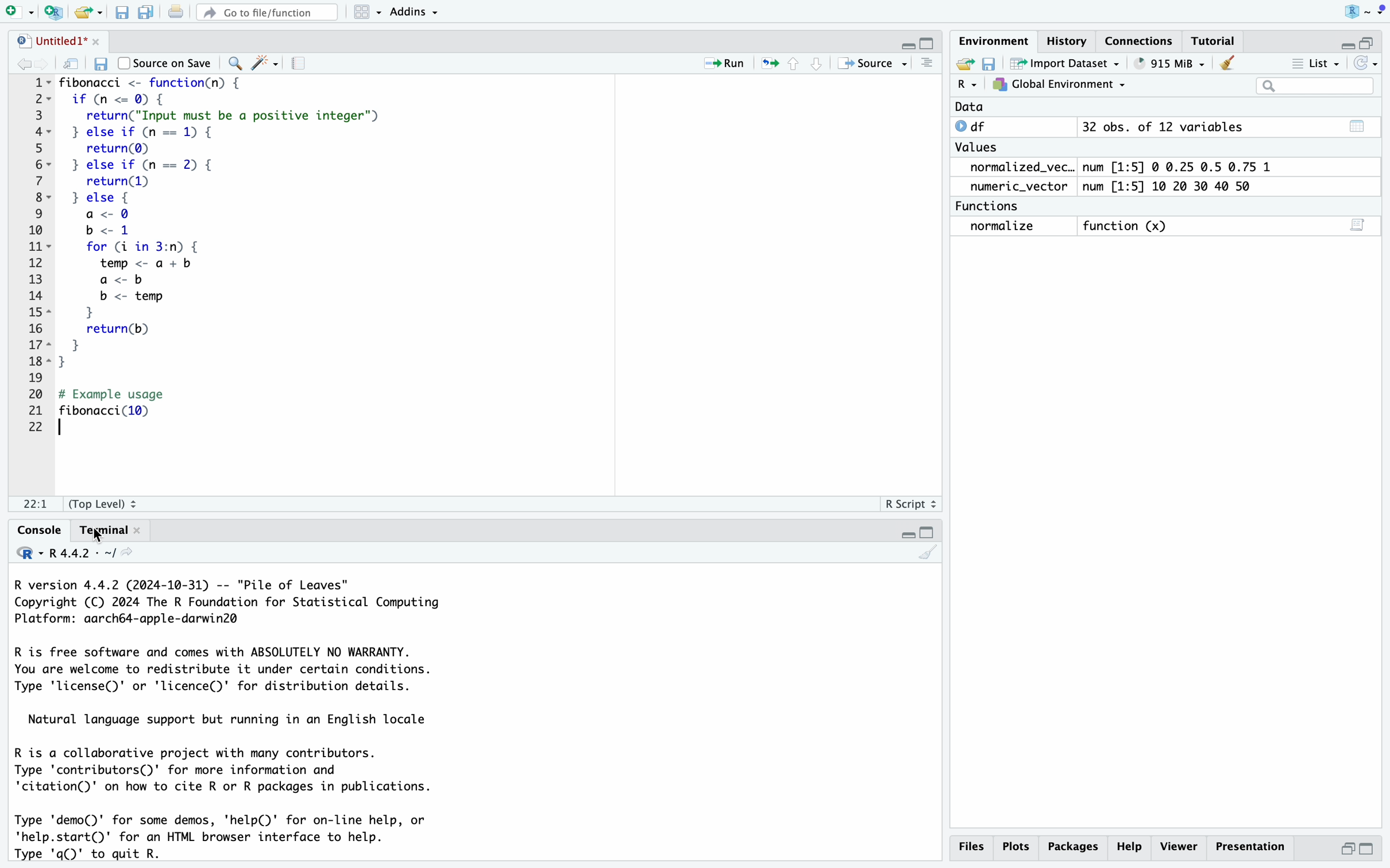 This screenshot has height=868, width=1390. What do you see at coordinates (978, 106) in the screenshot?
I see `date` at bounding box center [978, 106].